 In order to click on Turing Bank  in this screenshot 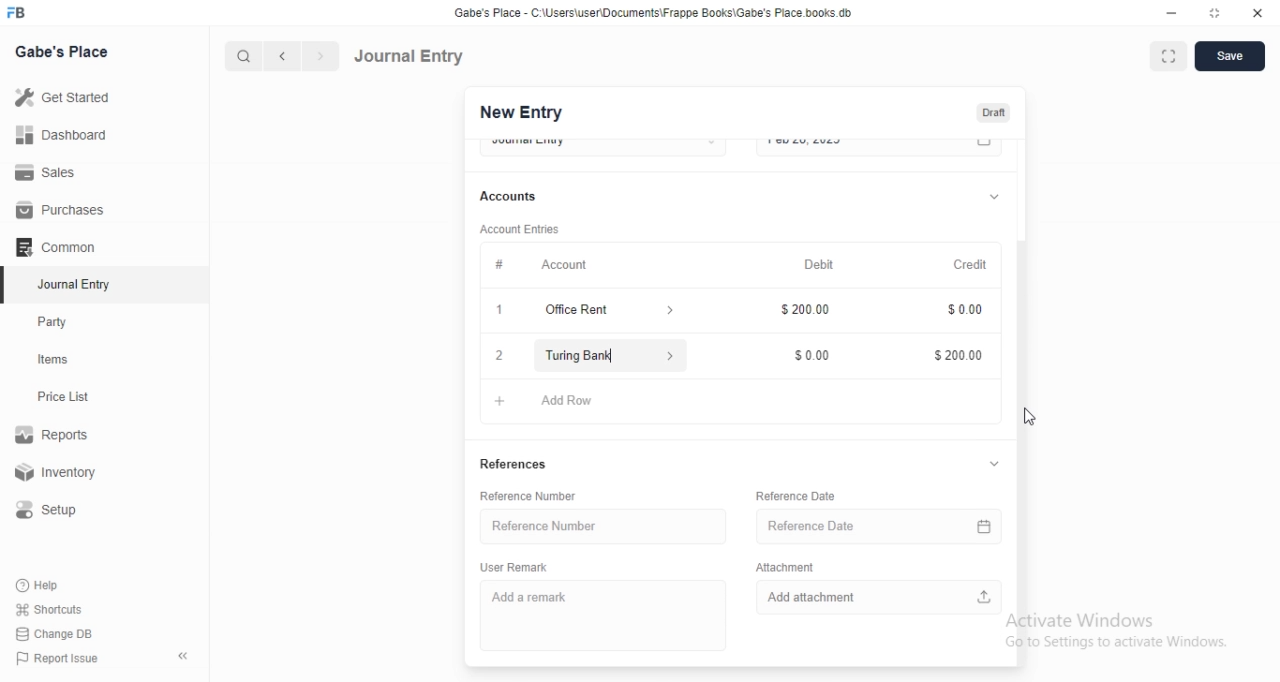, I will do `click(608, 355)`.